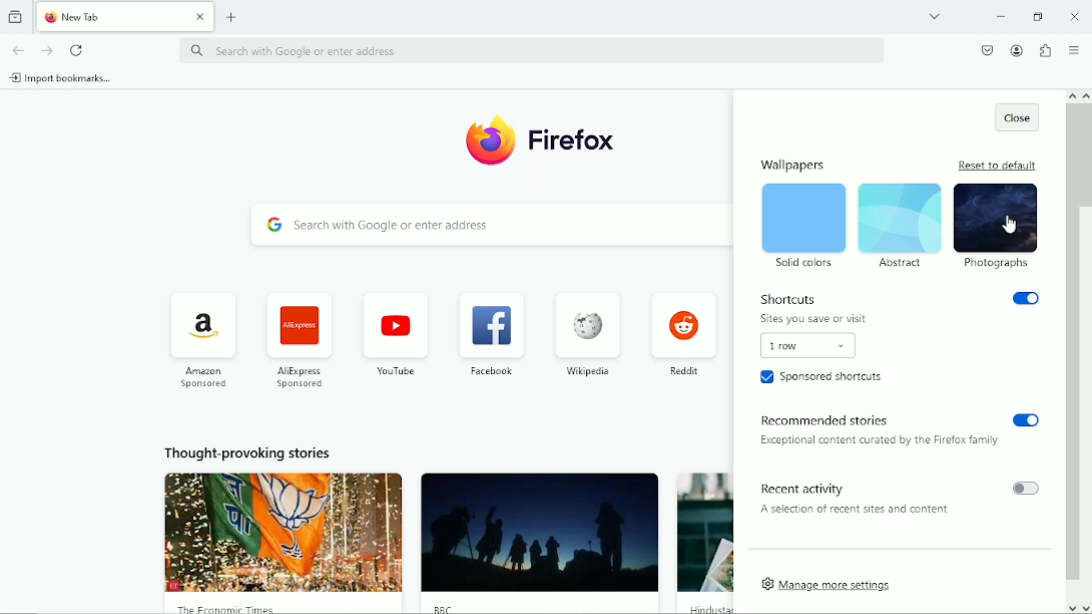 This screenshot has width=1092, height=614. I want to click on scroll up, so click(1069, 95).